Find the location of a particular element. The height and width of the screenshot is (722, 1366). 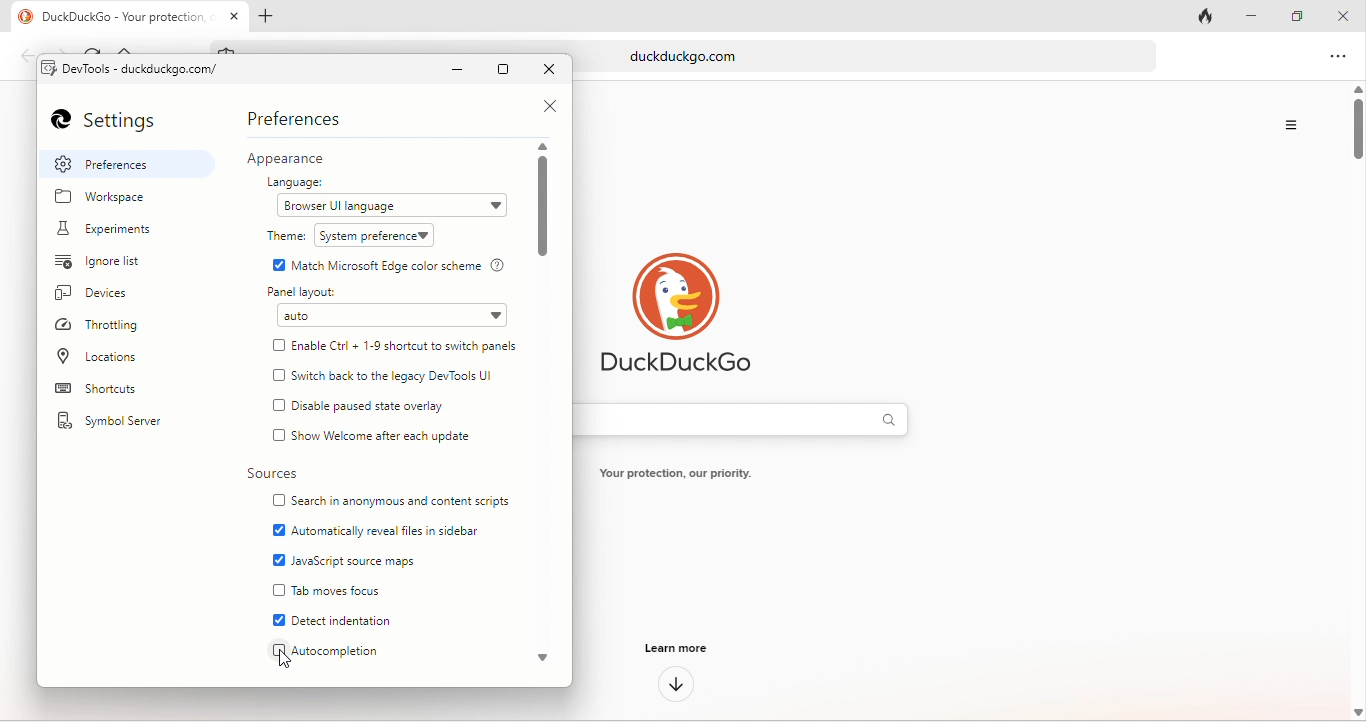

enable checkbox is located at coordinates (279, 561).